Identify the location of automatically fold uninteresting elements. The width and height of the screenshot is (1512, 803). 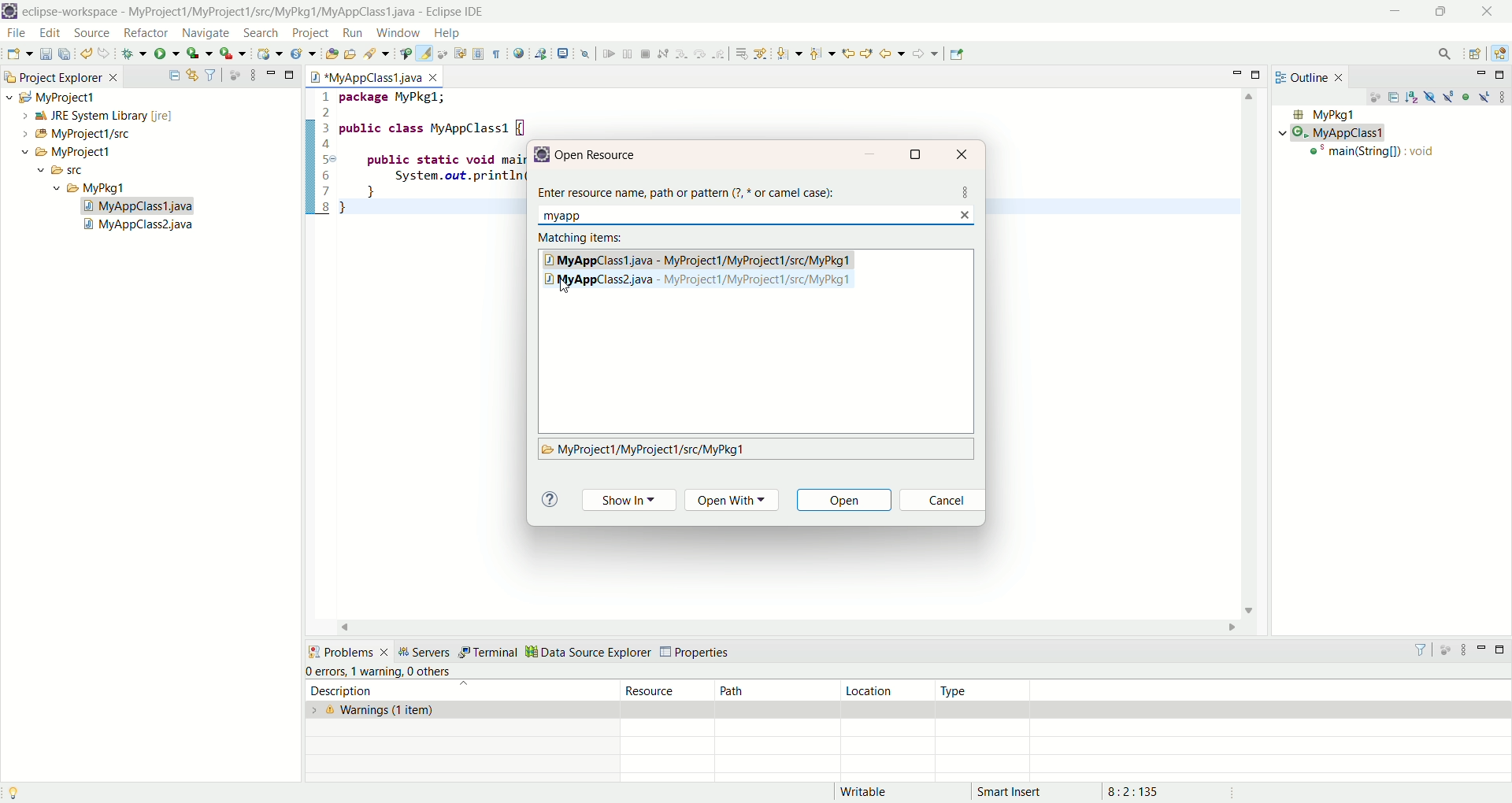
(445, 54).